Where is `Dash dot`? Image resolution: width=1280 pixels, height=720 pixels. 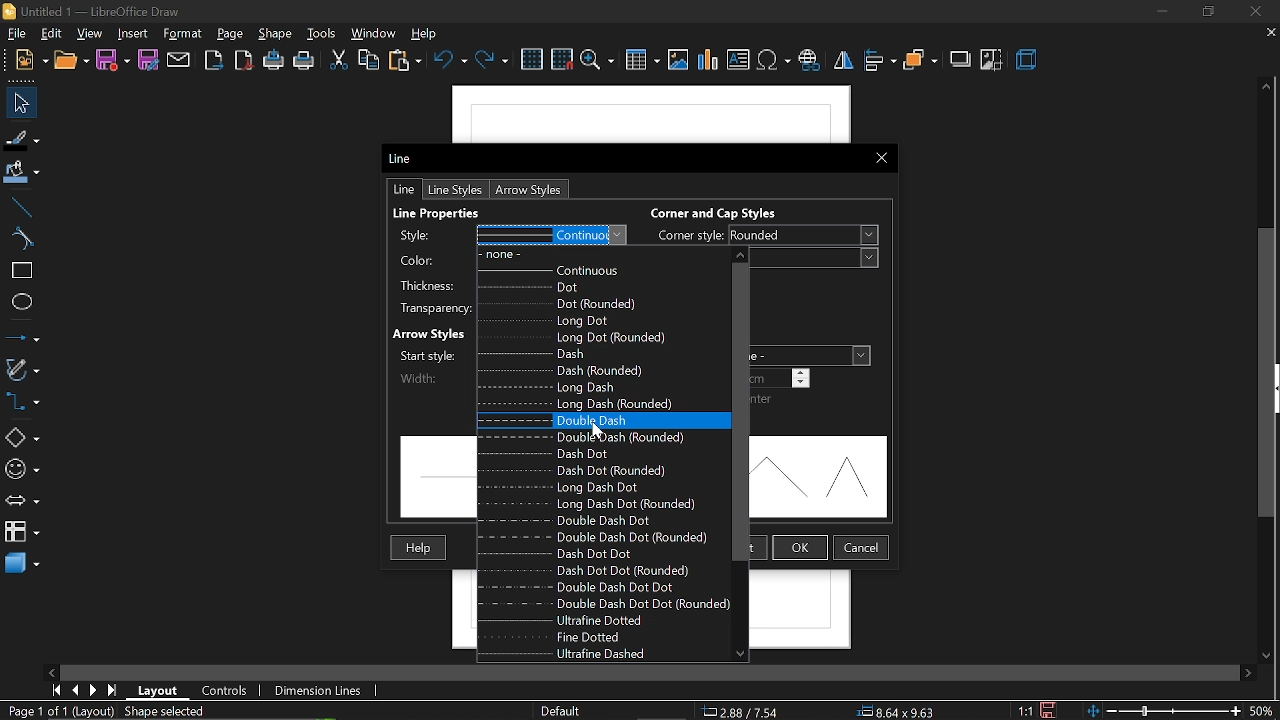 Dash dot is located at coordinates (607, 453).